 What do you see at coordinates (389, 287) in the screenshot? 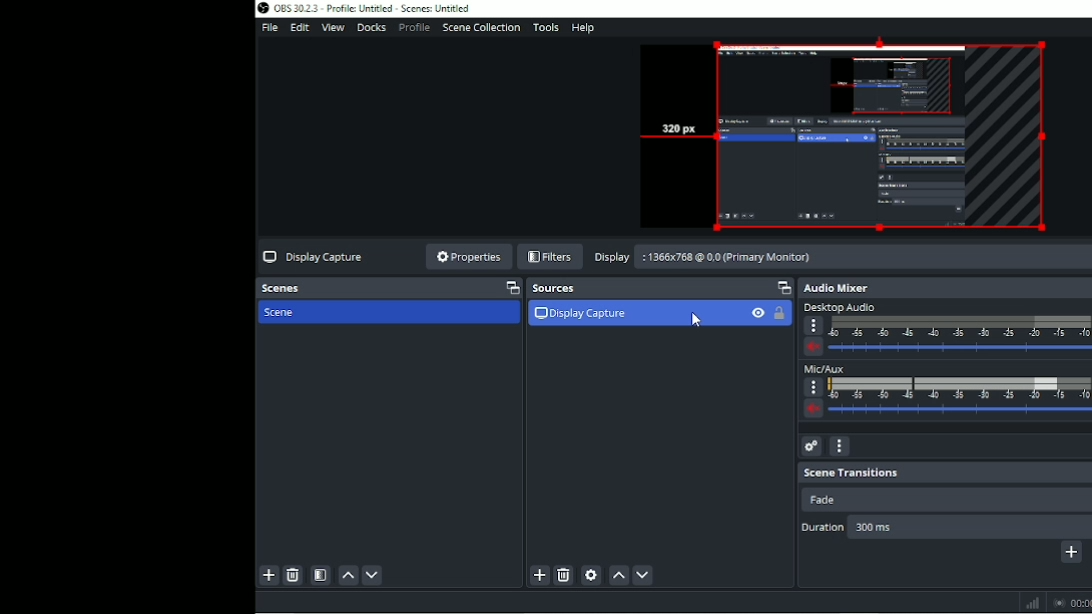
I see `Scenes` at bounding box center [389, 287].